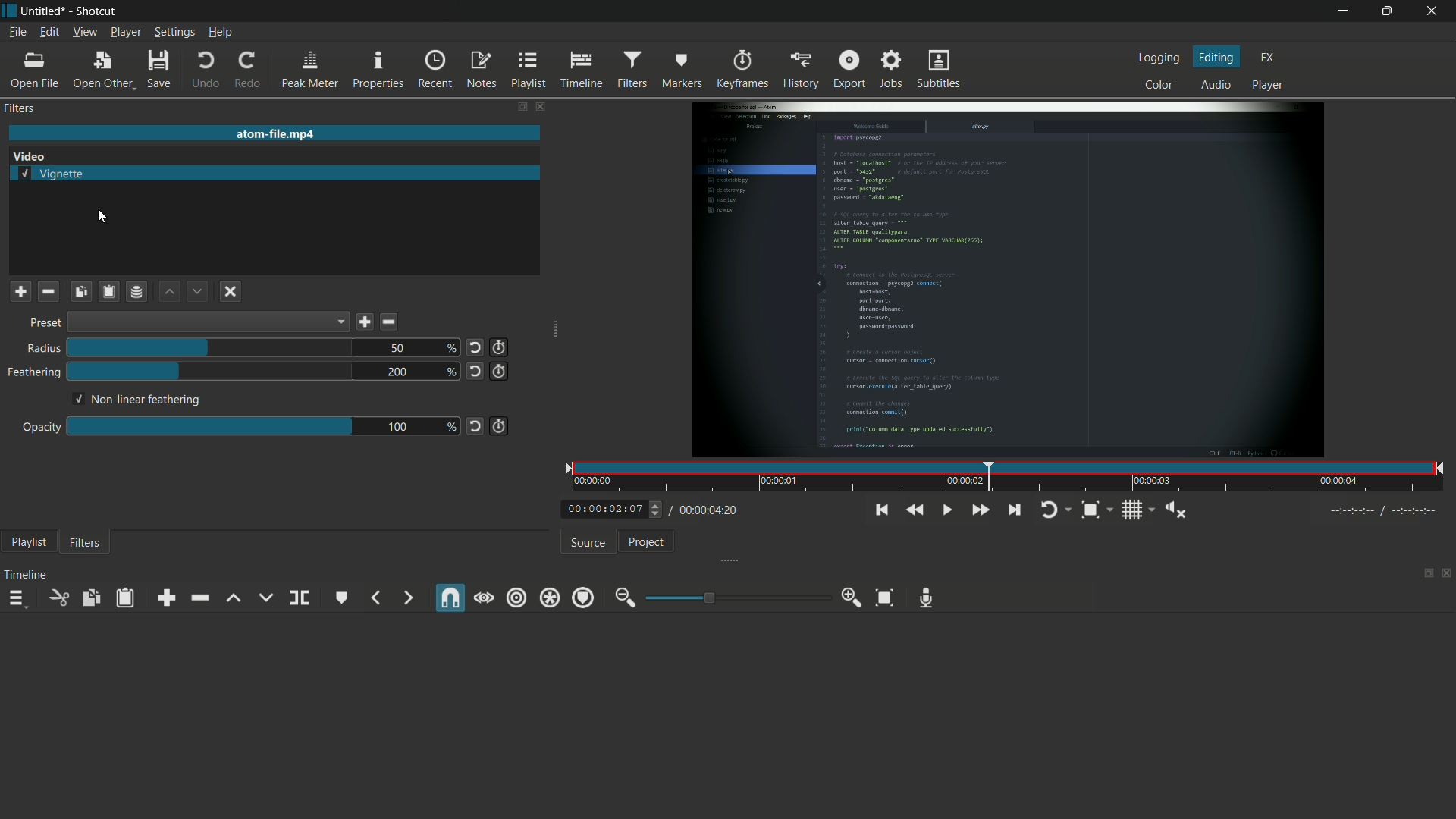 The image size is (1456, 819). What do you see at coordinates (849, 71) in the screenshot?
I see `export` at bounding box center [849, 71].